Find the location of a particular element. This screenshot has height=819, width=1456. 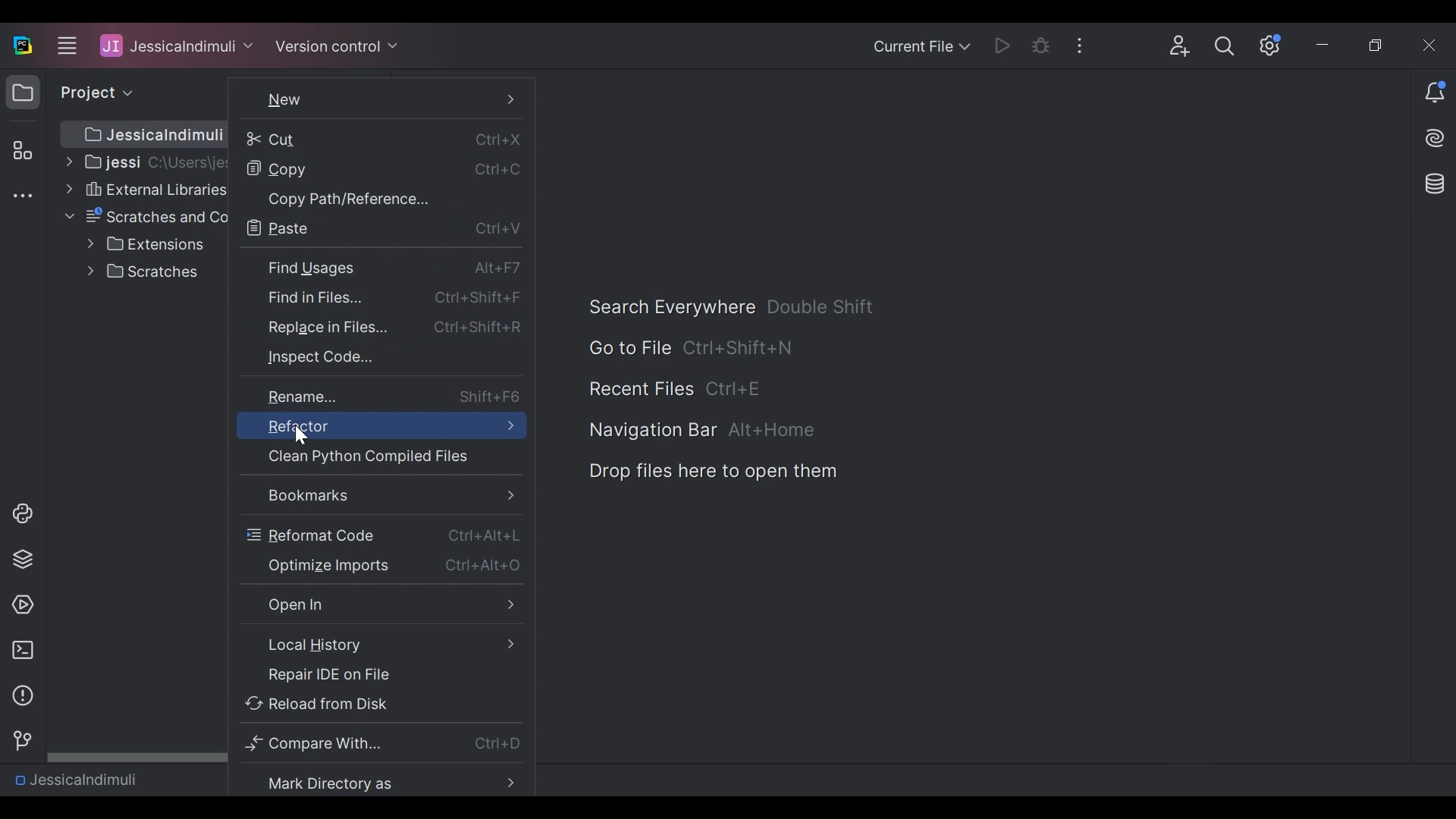

Project Name is located at coordinates (177, 45).